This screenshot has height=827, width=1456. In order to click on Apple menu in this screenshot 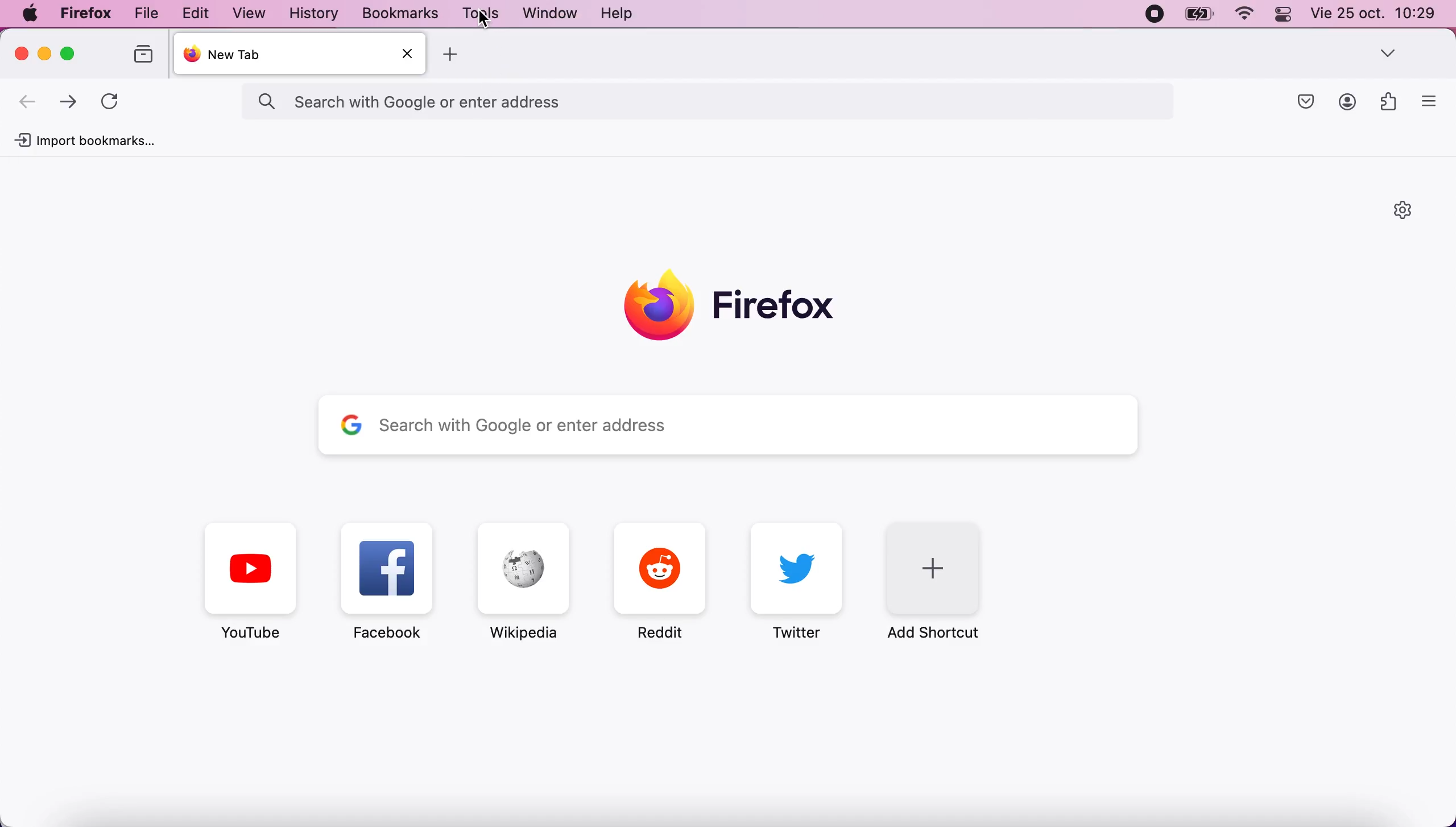, I will do `click(30, 13)`.